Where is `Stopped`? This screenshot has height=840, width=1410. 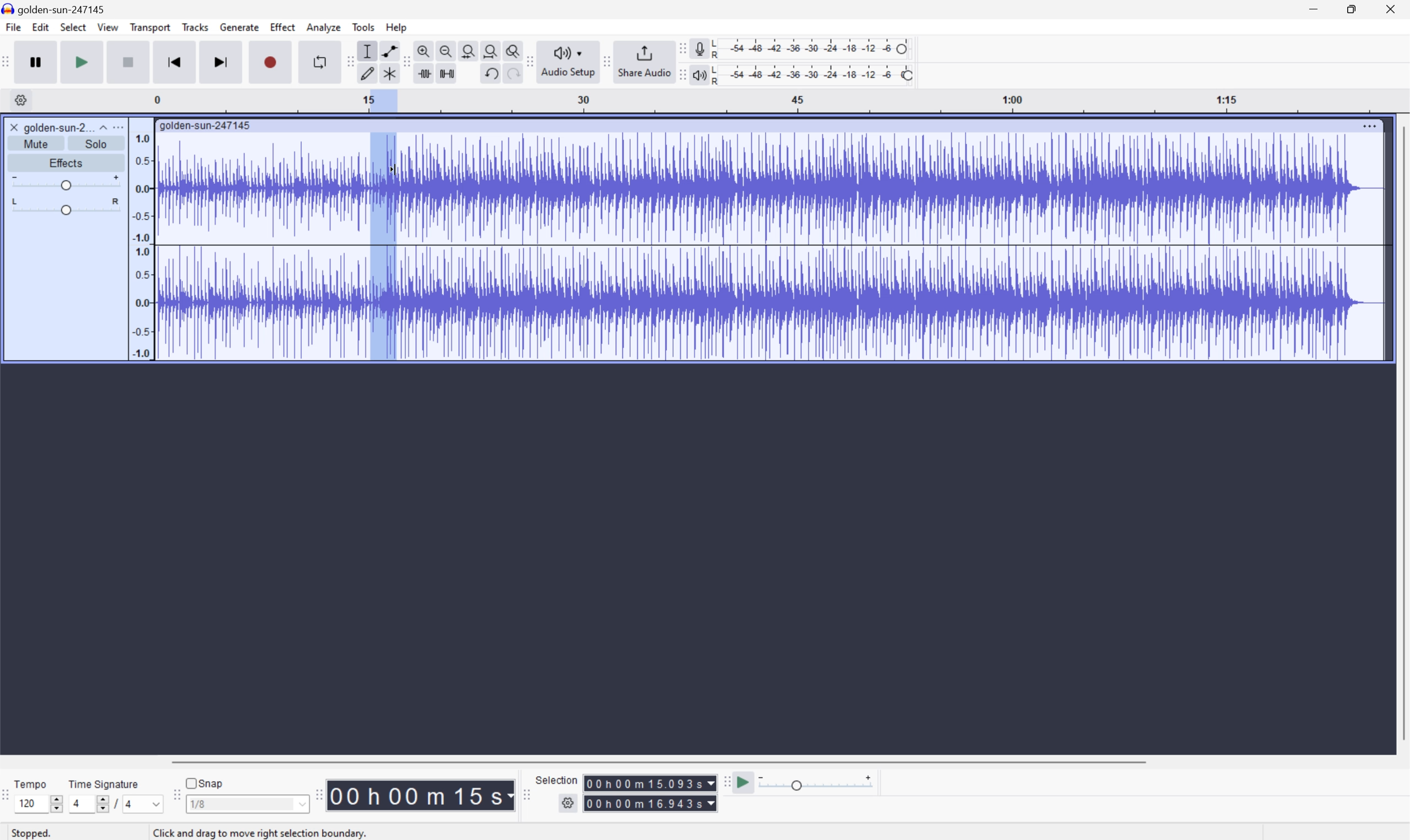 Stopped is located at coordinates (37, 834).